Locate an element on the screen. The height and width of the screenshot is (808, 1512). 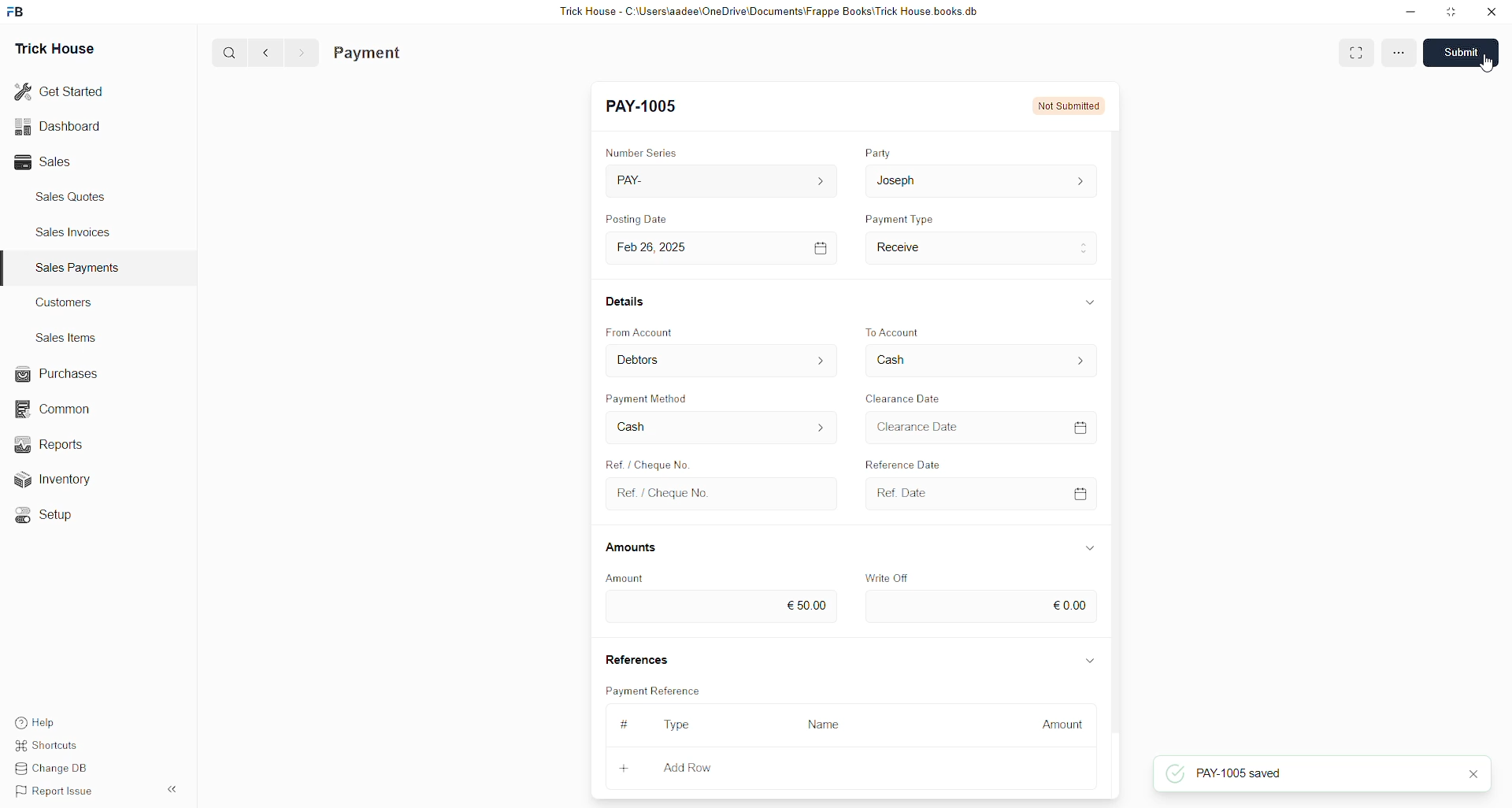
cursor is located at coordinates (1488, 63).